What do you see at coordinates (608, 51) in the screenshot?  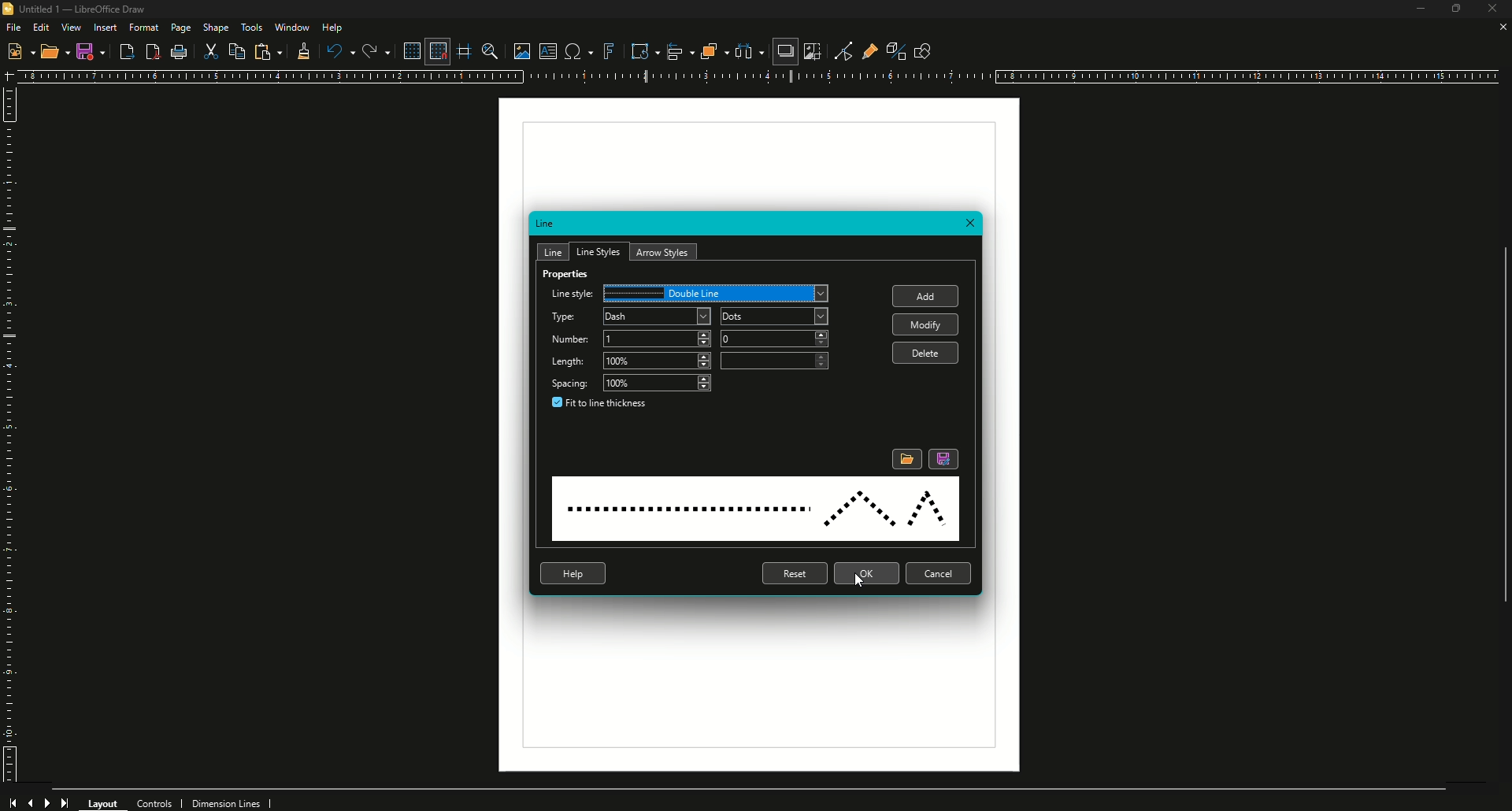 I see `Insert Fontwork Text` at bounding box center [608, 51].